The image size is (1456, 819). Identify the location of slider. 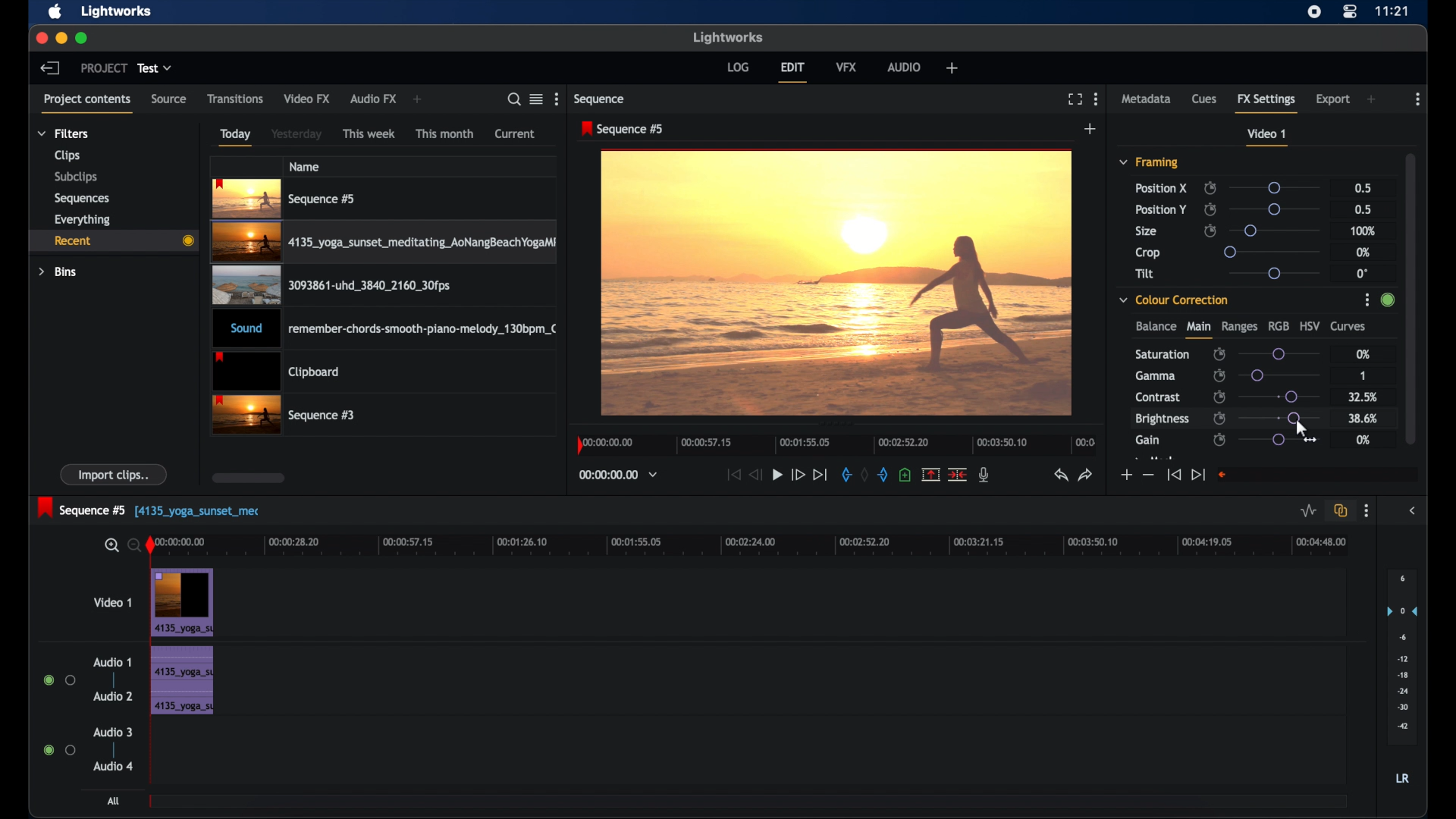
(1272, 273).